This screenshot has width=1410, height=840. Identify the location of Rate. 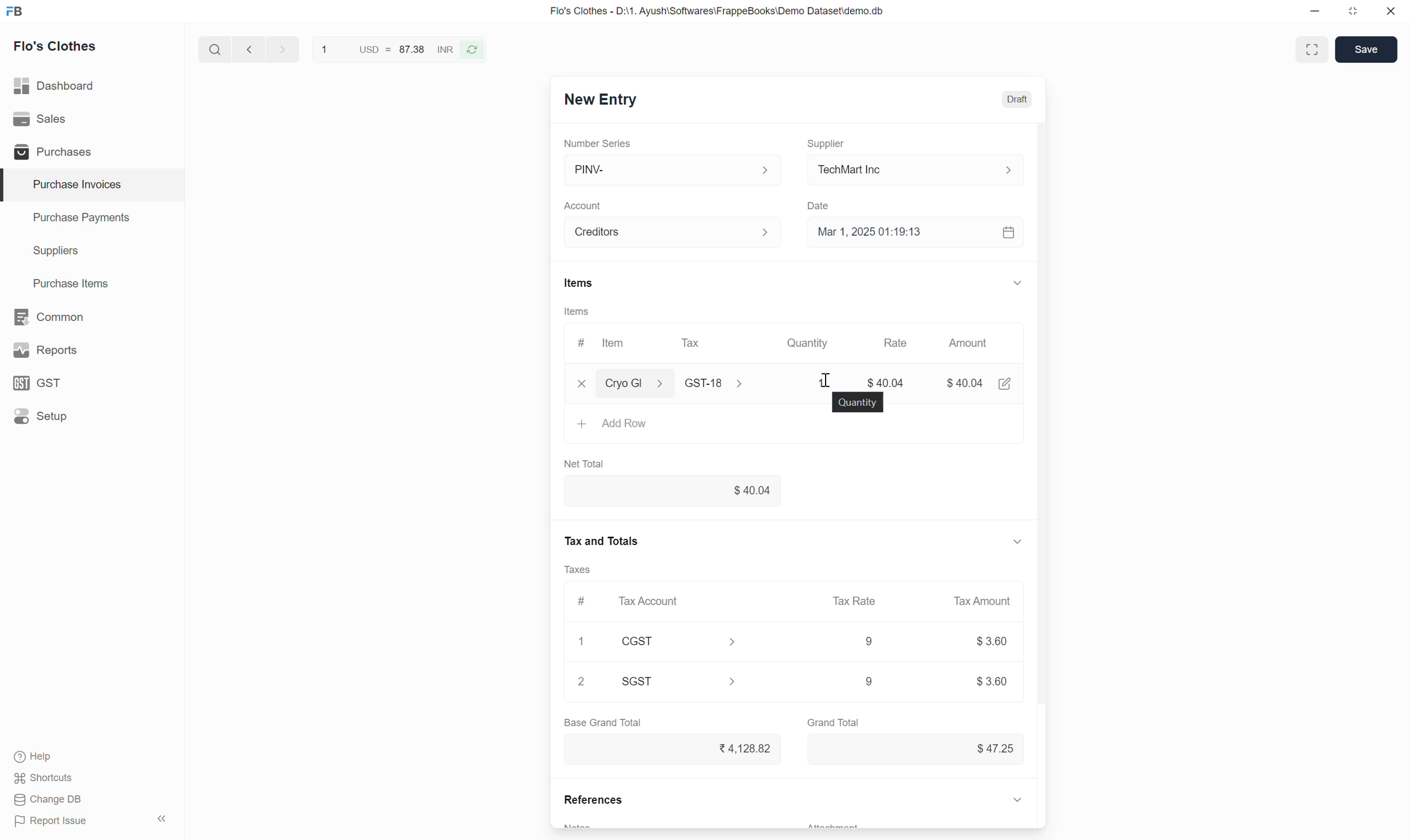
(903, 342).